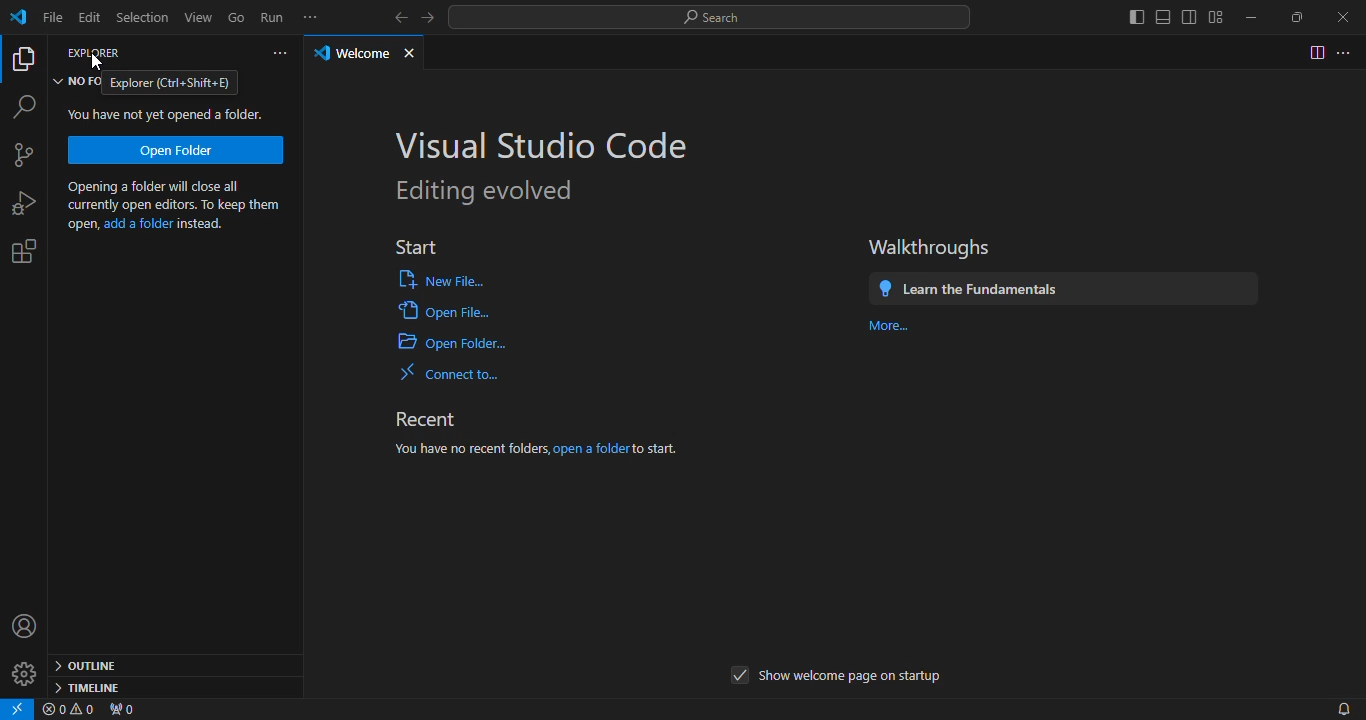 This screenshot has width=1366, height=720. I want to click on logo, so click(18, 19).